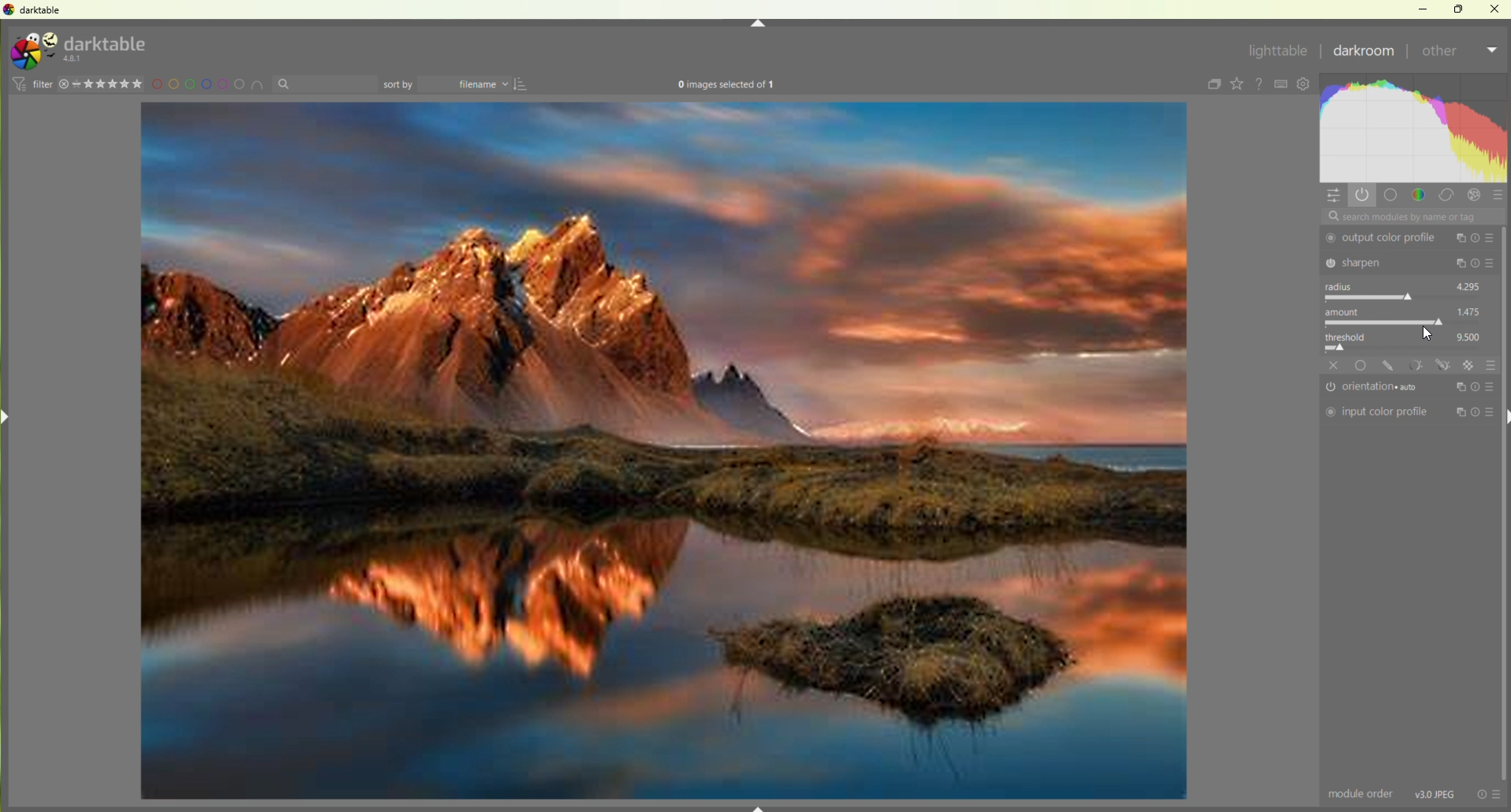 Image resolution: width=1511 pixels, height=812 pixels. What do you see at coordinates (1377, 412) in the screenshot?
I see `Input color profile` at bounding box center [1377, 412].